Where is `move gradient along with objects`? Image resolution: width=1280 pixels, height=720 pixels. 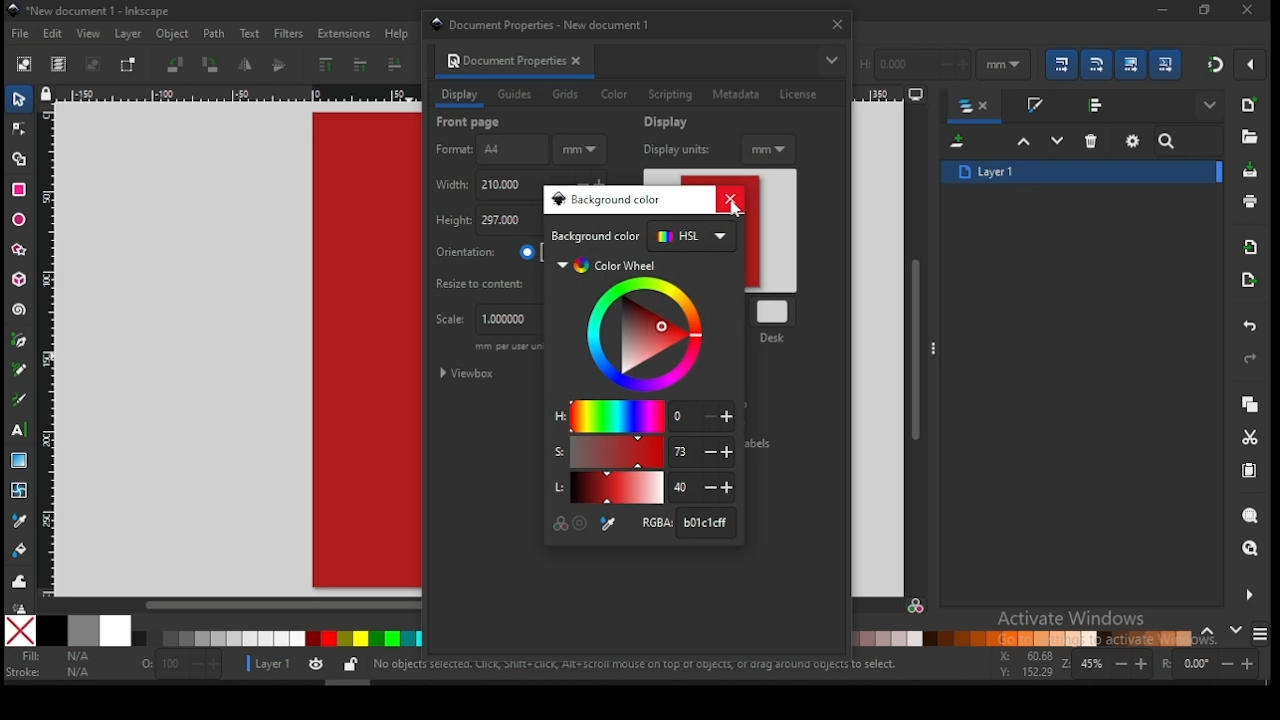
move gradient along with objects is located at coordinates (1131, 64).